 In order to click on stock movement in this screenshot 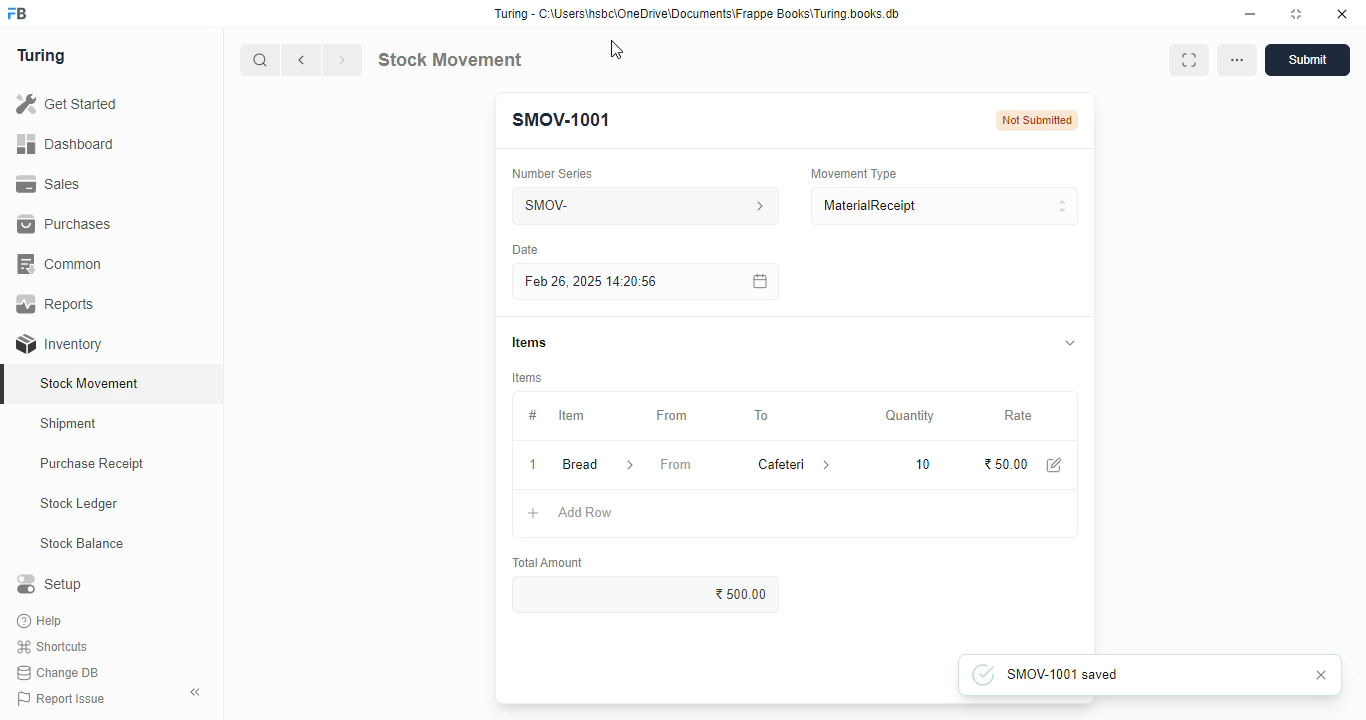, I will do `click(91, 383)`.